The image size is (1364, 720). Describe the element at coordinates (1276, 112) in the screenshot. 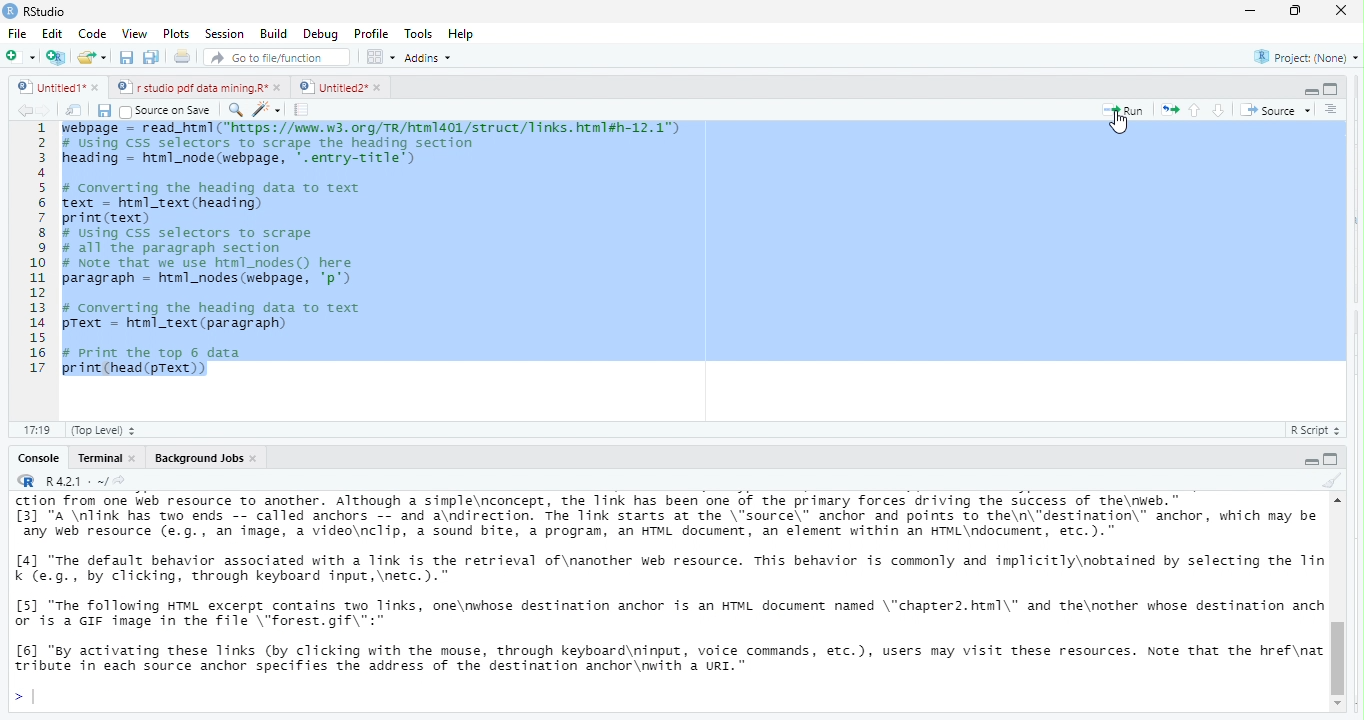

I see ` Source ` at that location.